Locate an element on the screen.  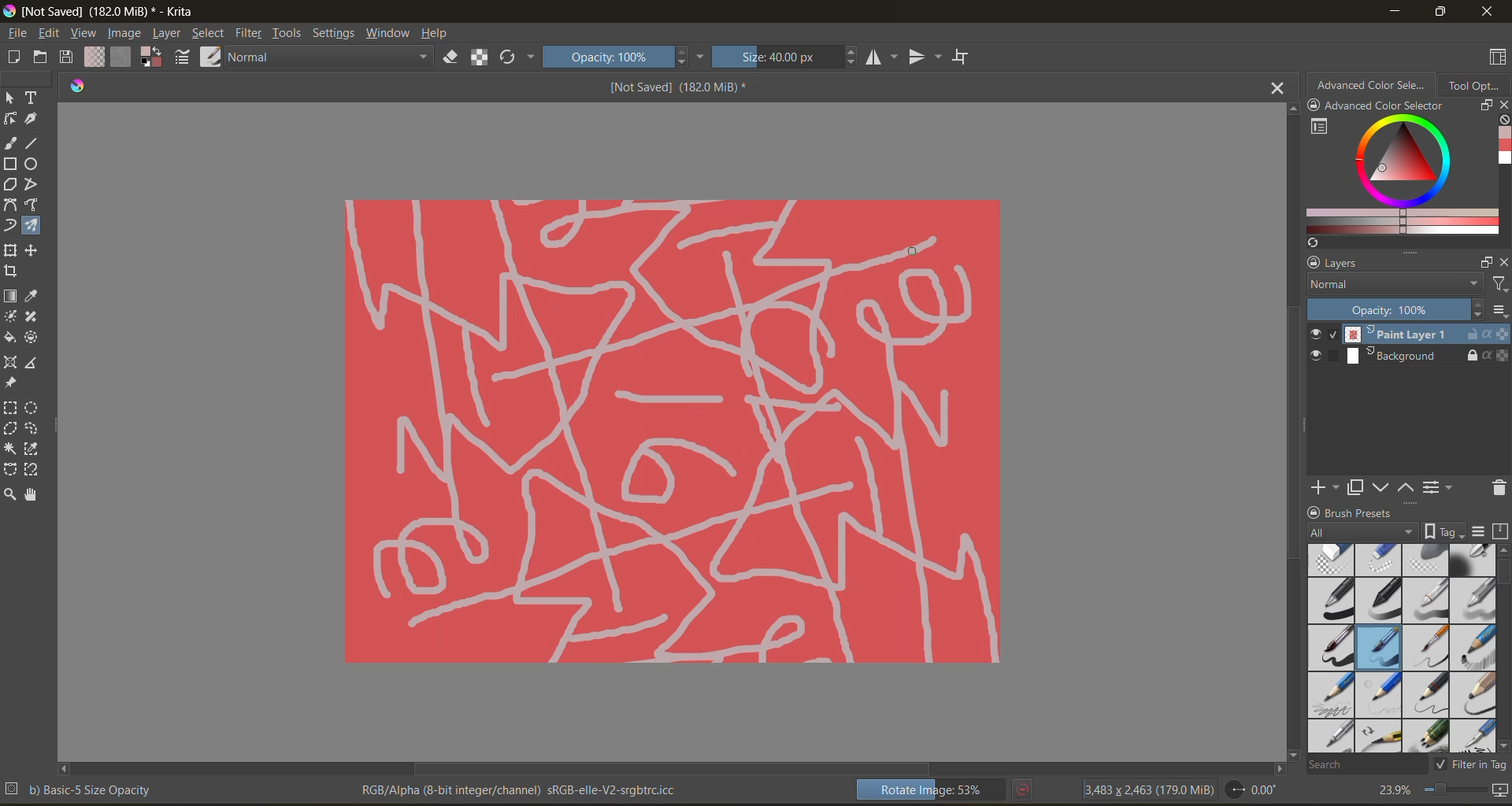
choose workspace is located at coordinates (1499, 57).